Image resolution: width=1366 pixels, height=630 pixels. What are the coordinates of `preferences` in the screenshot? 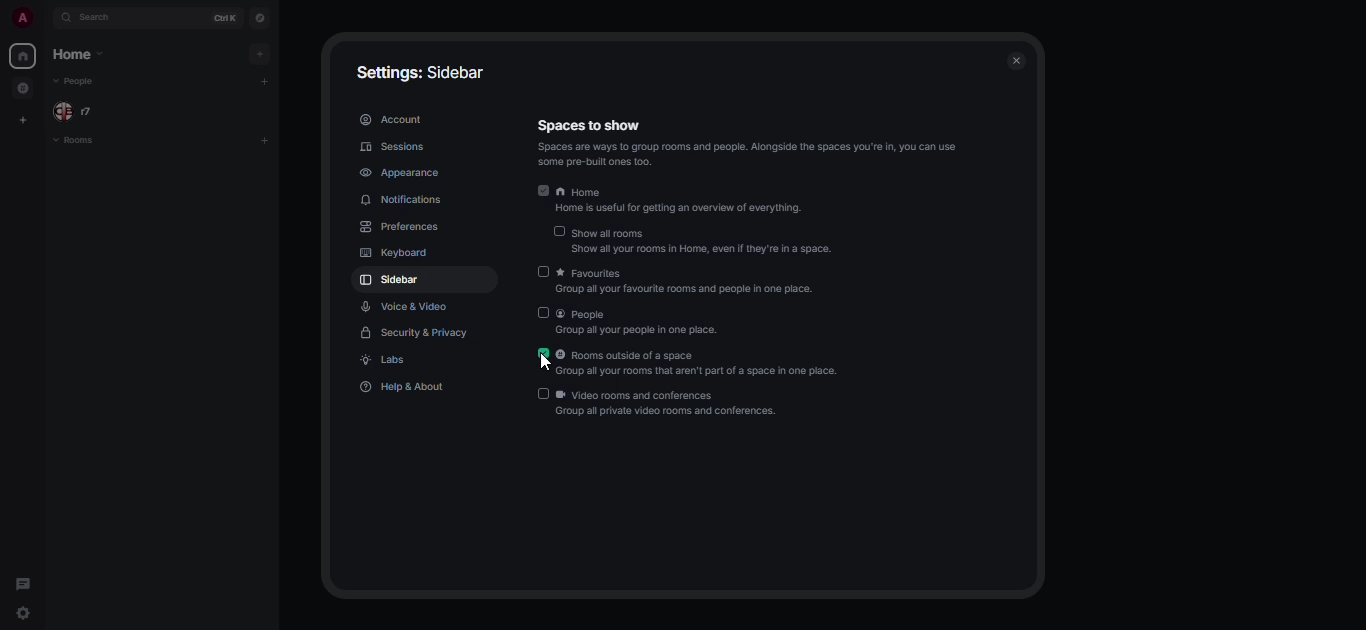 It's located at (403, 228).